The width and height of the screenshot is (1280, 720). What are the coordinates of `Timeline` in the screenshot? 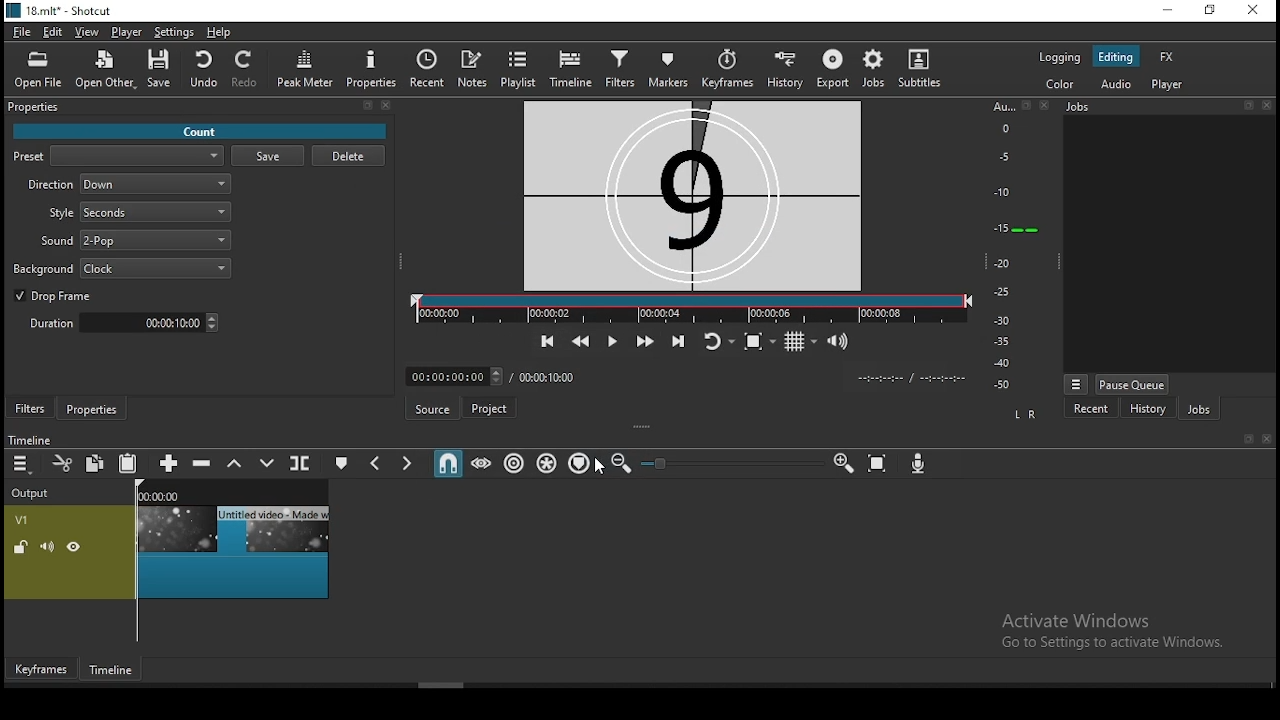 It's located at (109, 669).